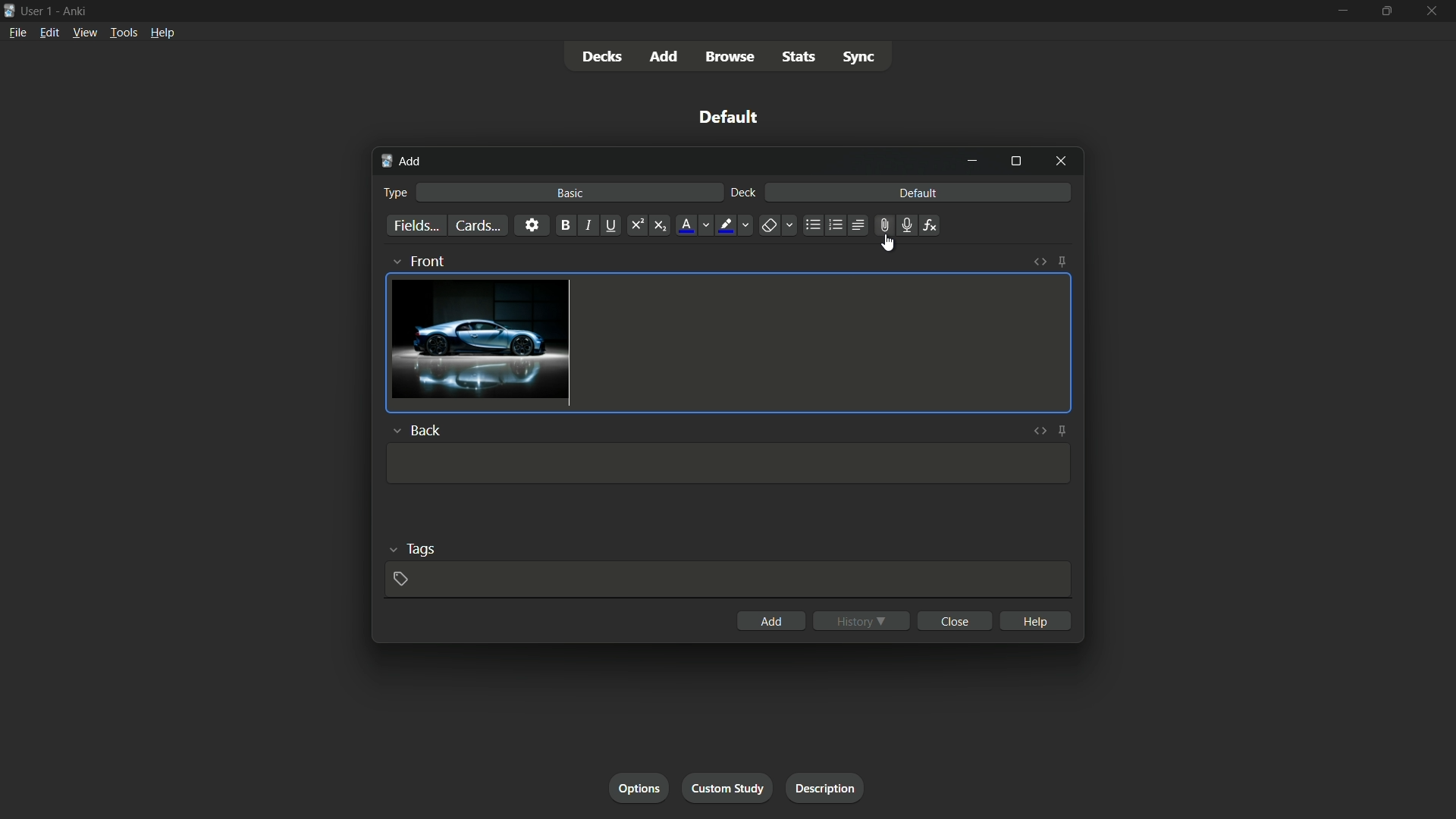 This screenshot has width=1456, height=819. I want to click on deck, so click(744, 192).